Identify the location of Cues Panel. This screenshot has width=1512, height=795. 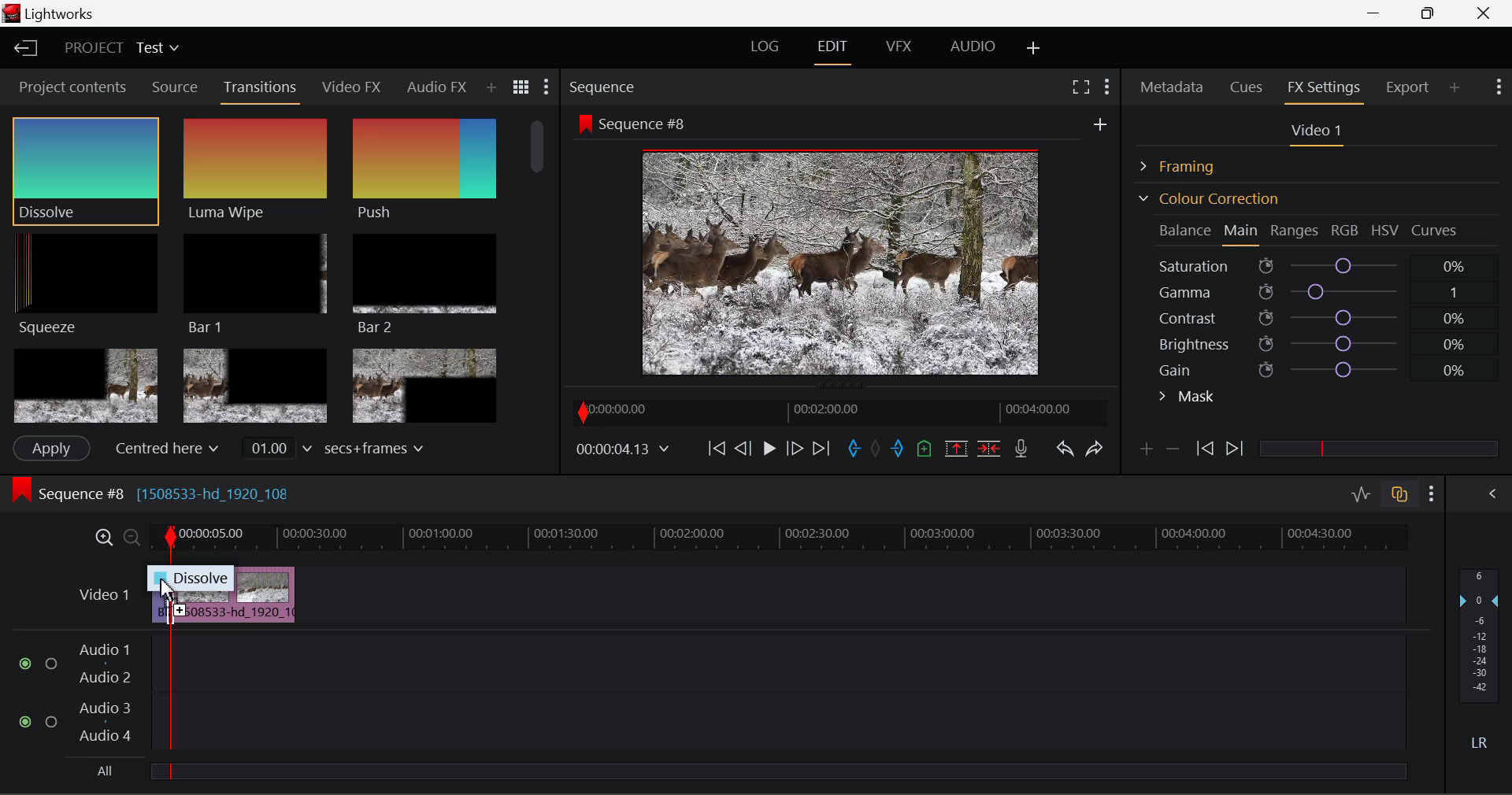
(1248, 85).